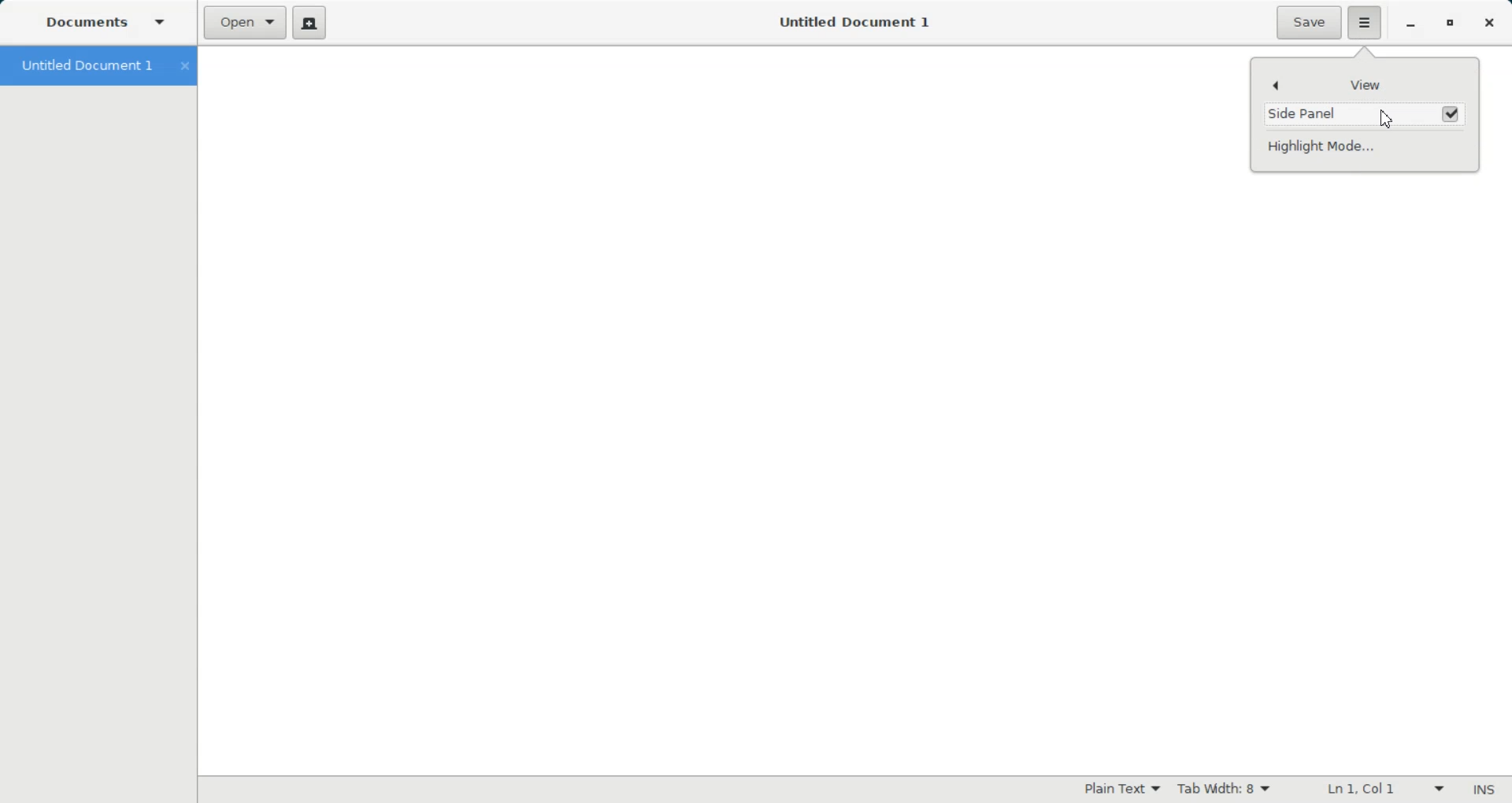  Describe the element at coordinates (83, 65) in the screenshot. I see `Untitled Document 1 tab` at that location.